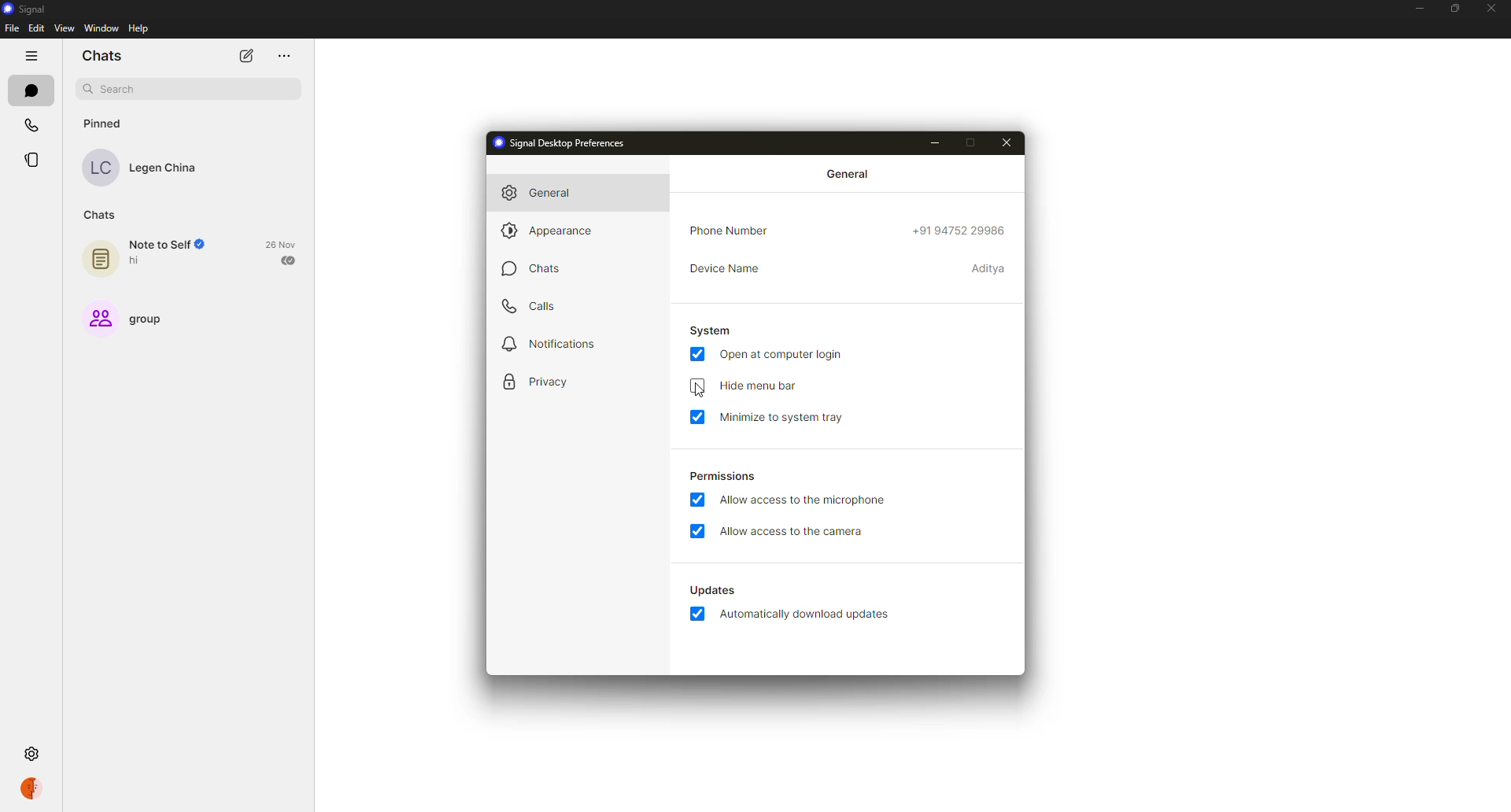 This screenshot has height=812, width=1511. I want to click on note to self, so click(147, 256).